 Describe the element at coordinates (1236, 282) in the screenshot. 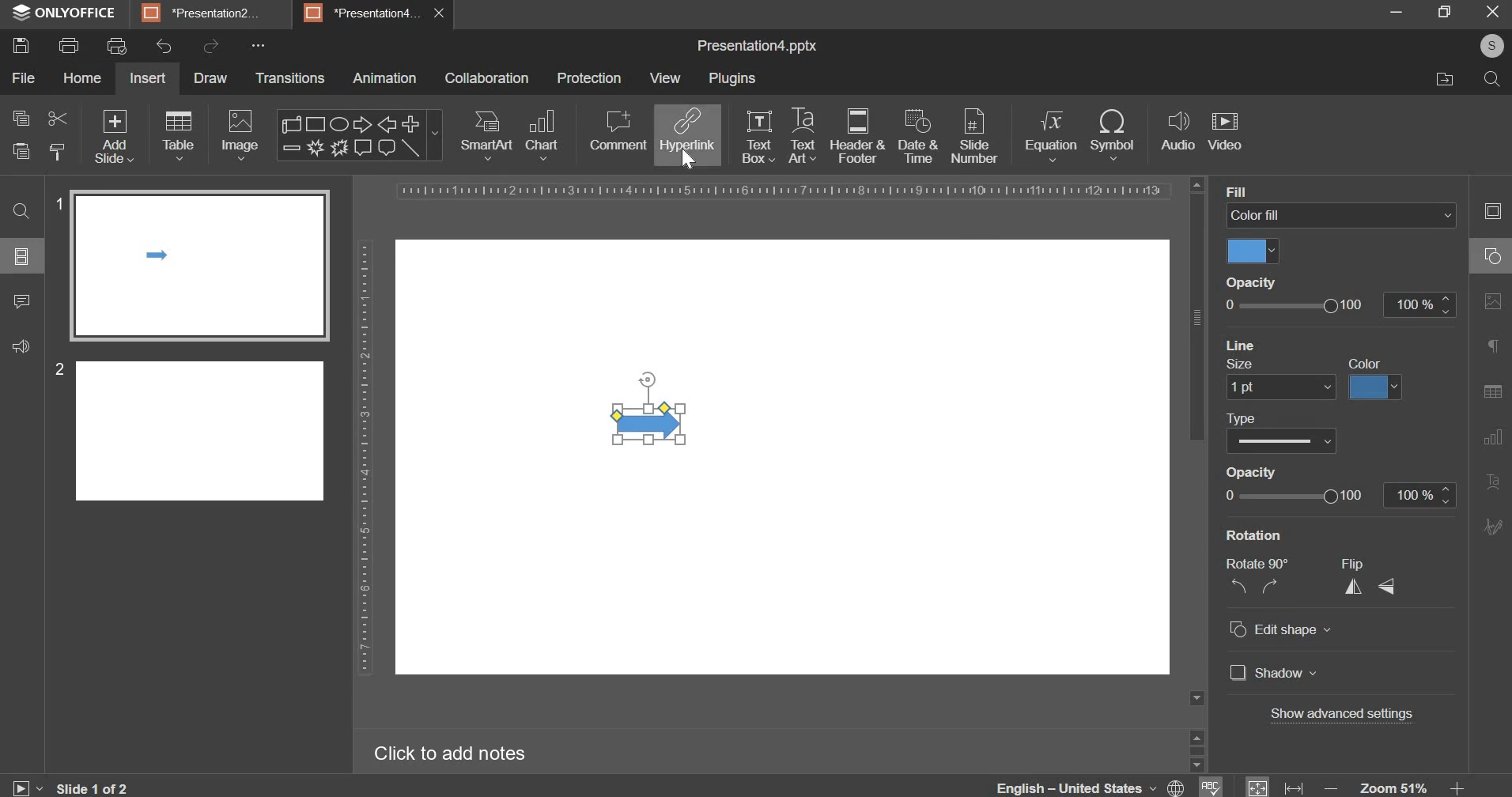

I see `` at that location.